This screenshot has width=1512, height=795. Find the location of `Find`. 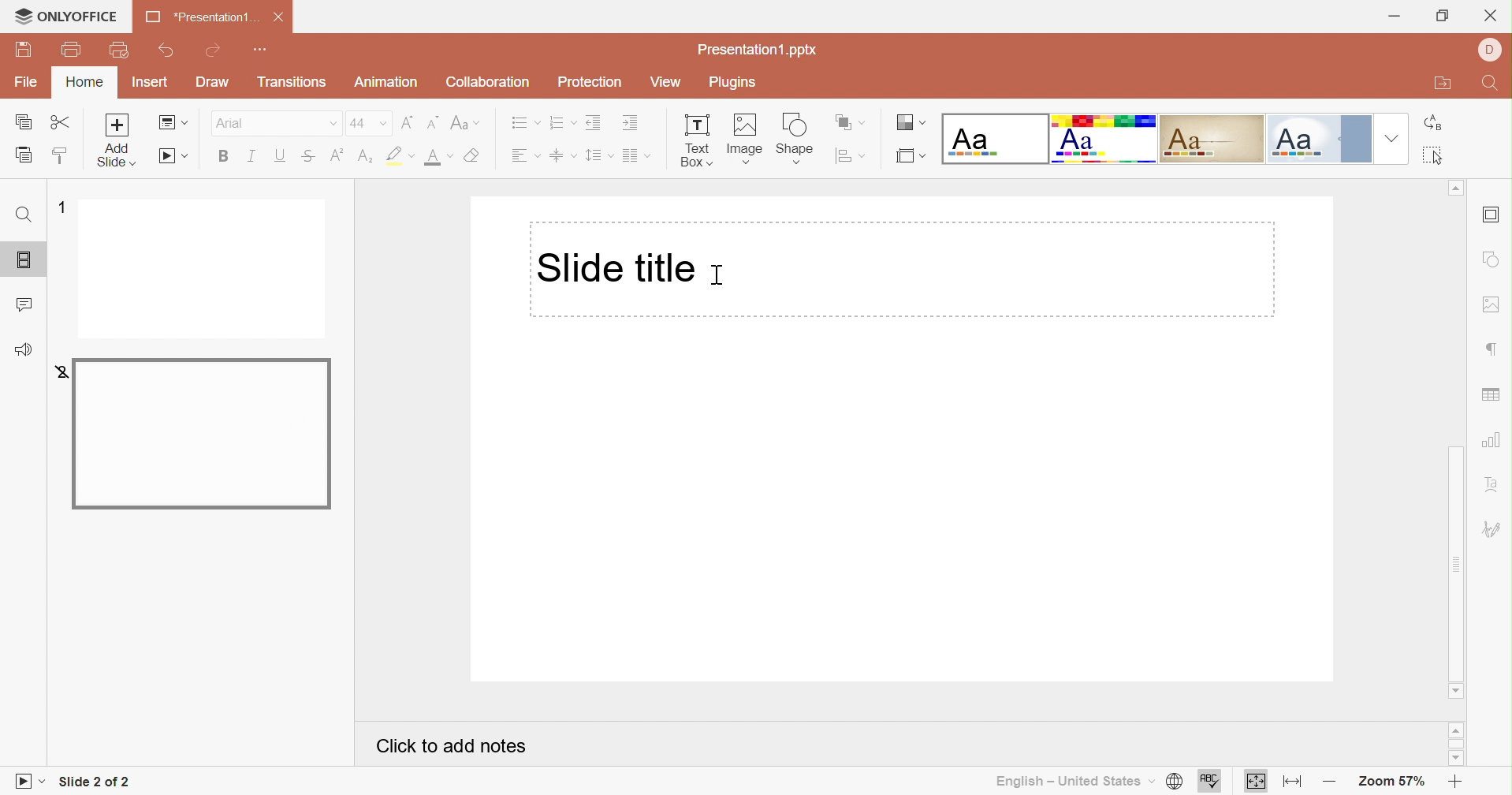

Find is located at coordinates (24, 214).